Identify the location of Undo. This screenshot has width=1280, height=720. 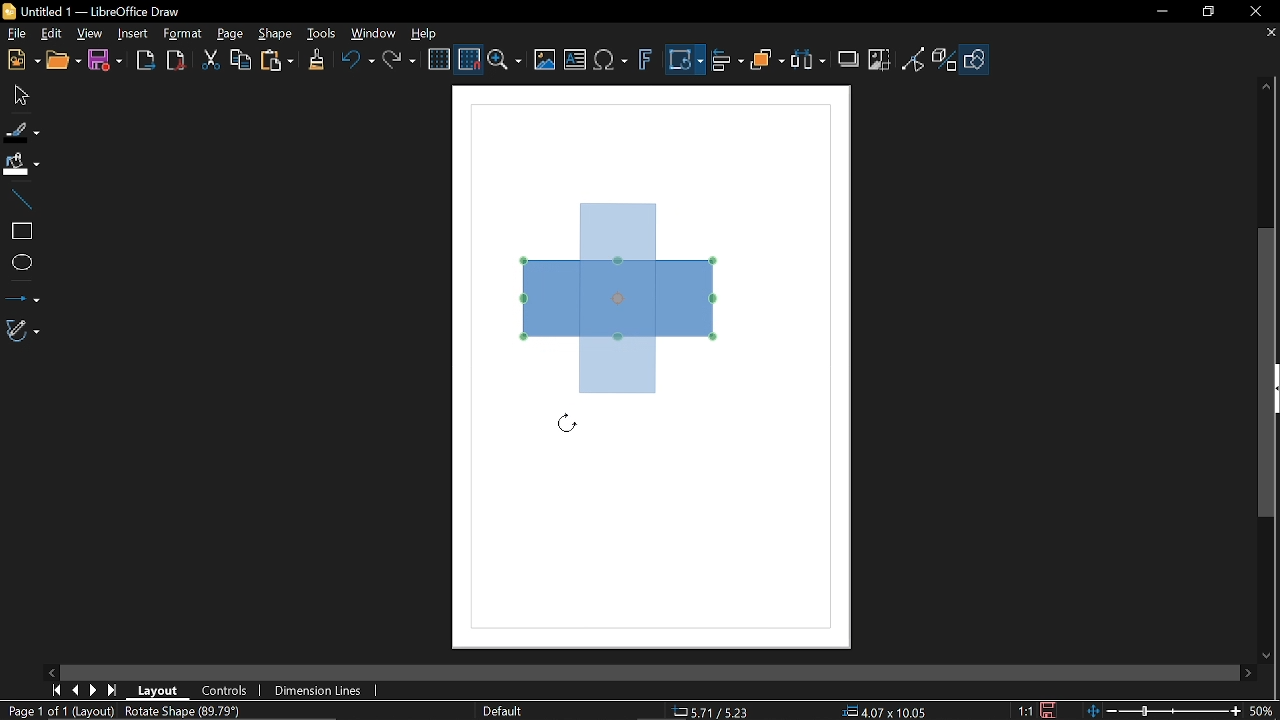
(355, 63).